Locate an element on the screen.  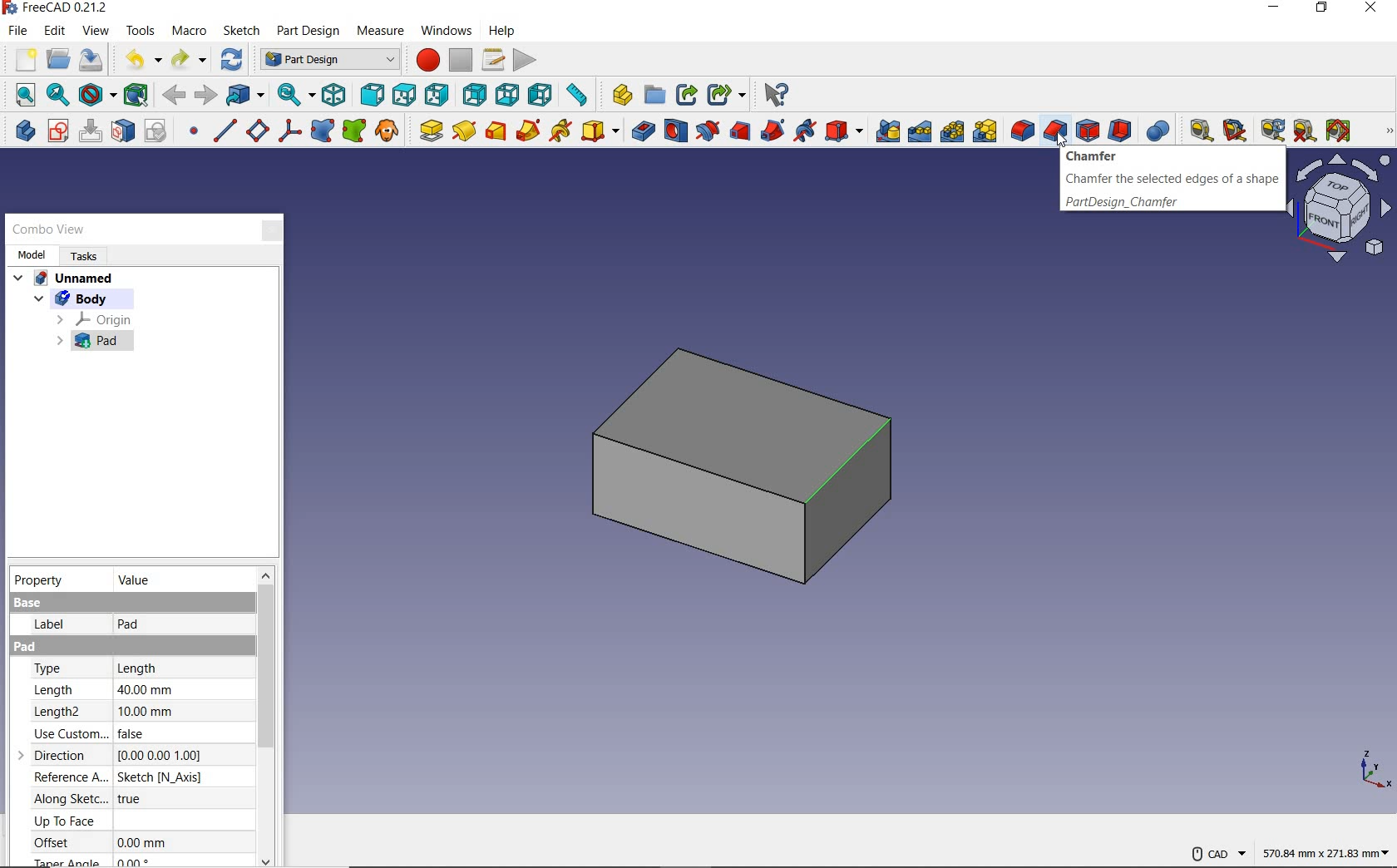
create a subtractive primitive is located at coordinates (846, 131).